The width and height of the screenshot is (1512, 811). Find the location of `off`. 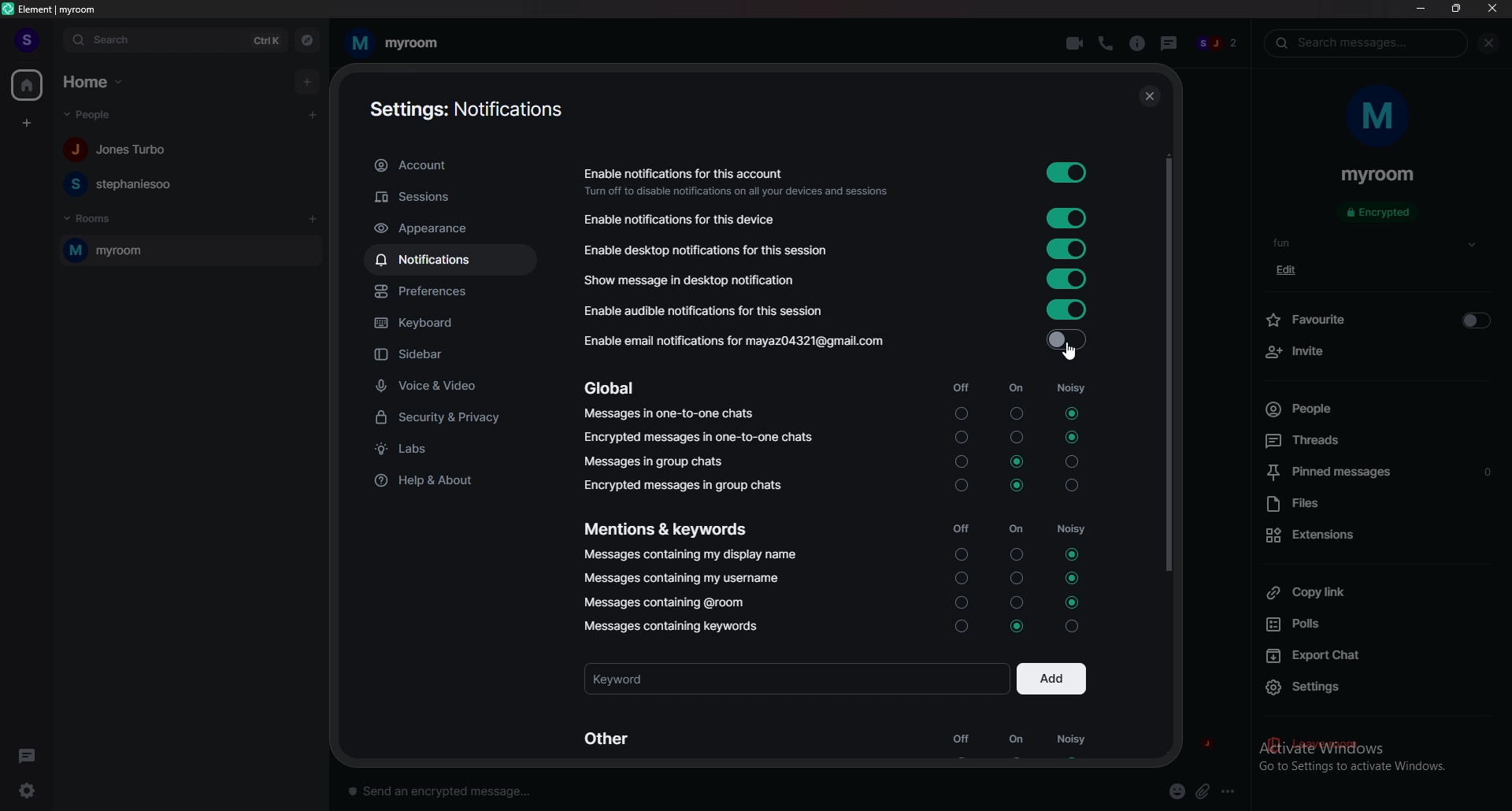

off is located at coordinates (961, 742).